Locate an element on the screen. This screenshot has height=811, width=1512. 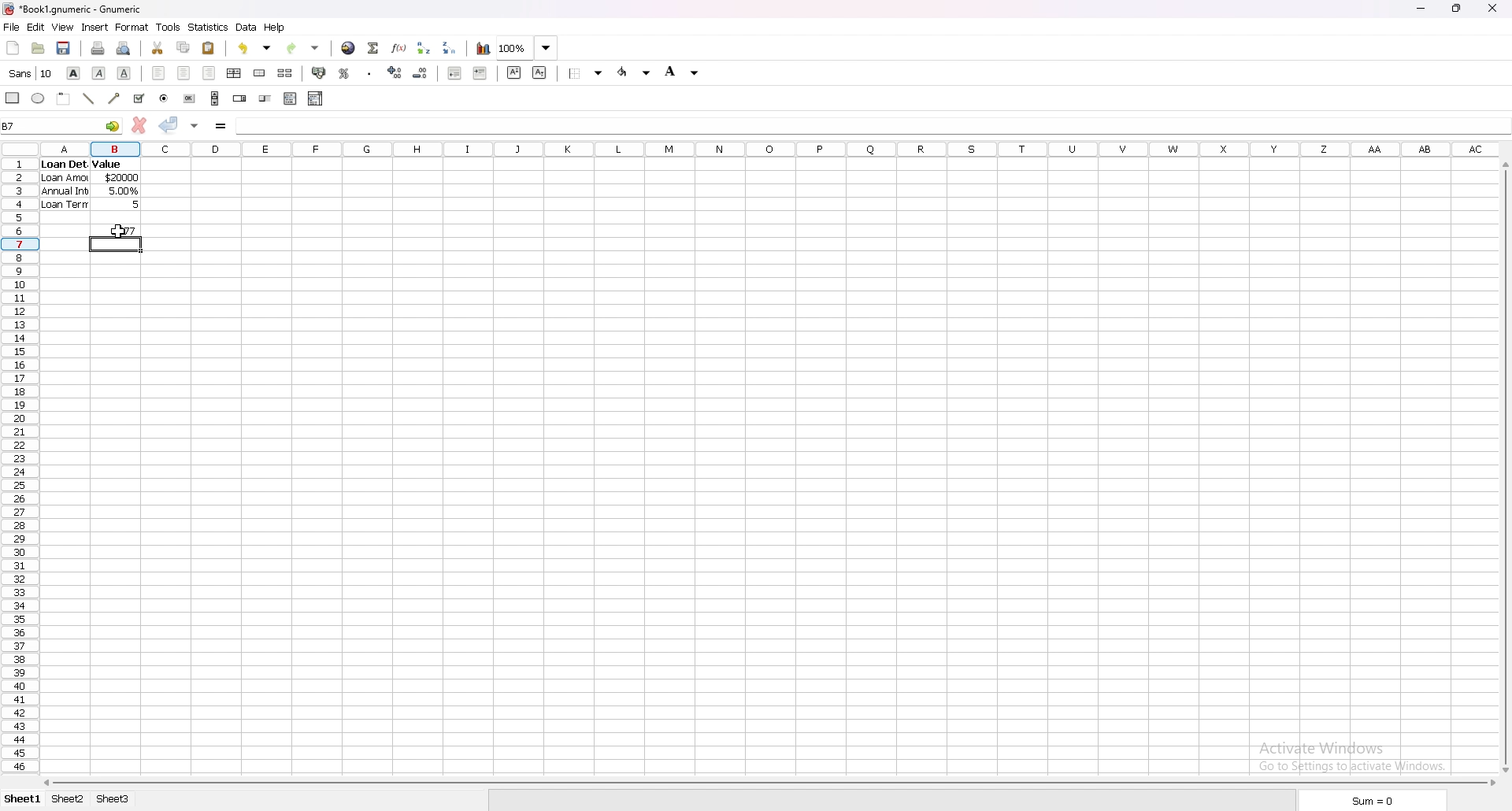
cursor is located at coordinates (117, 233).